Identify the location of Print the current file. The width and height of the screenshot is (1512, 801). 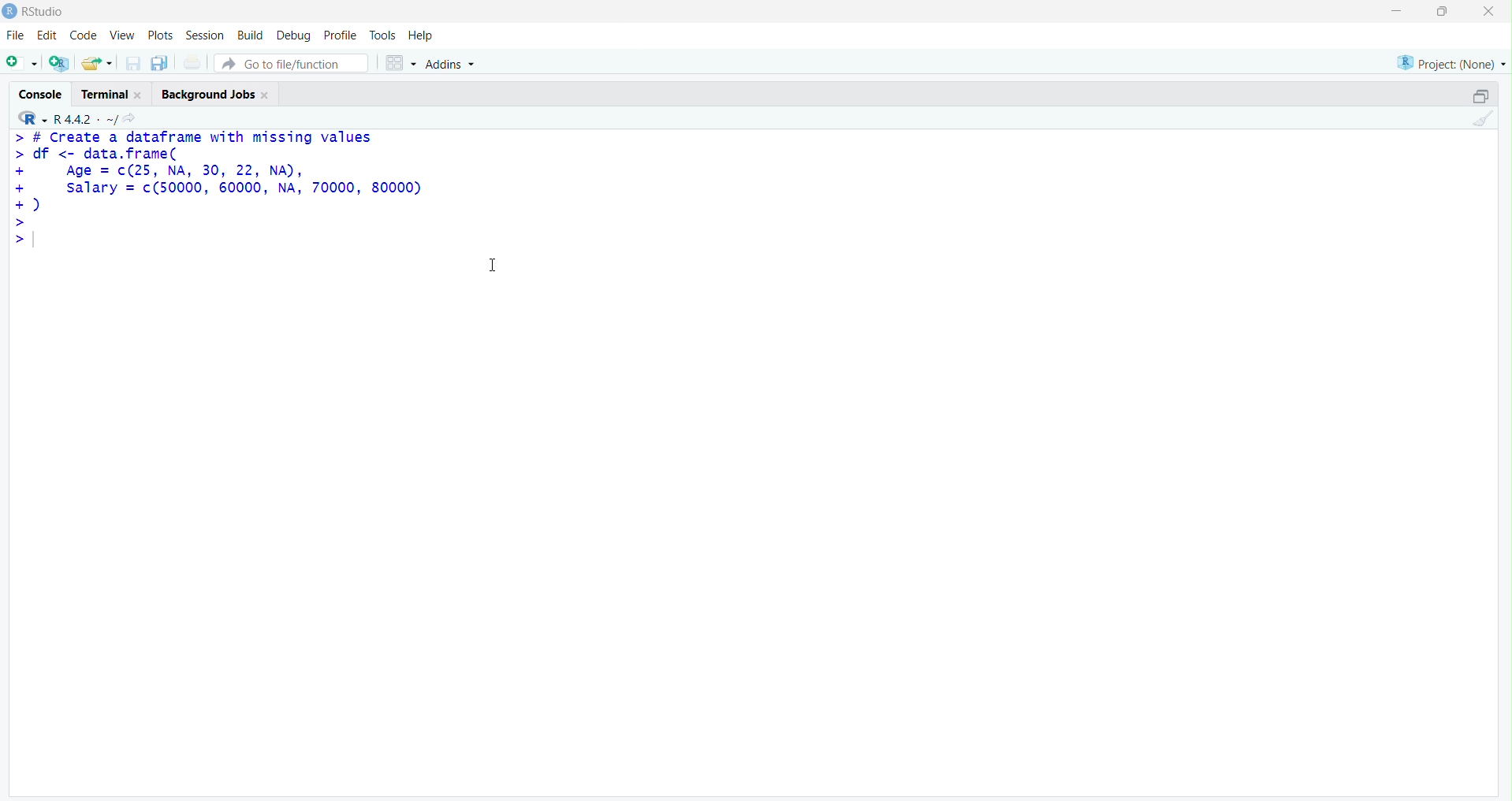
(192, 61).